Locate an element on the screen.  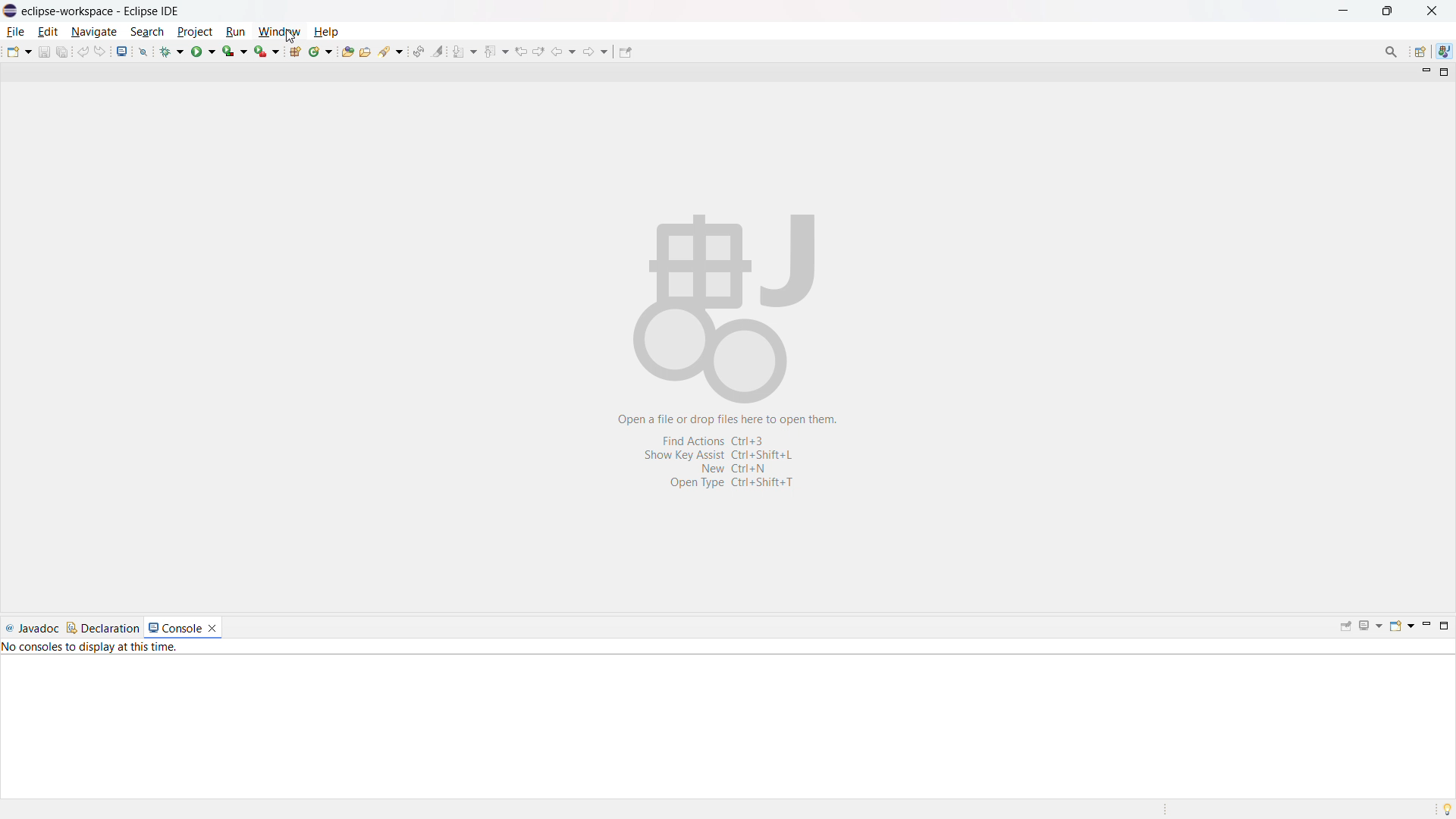
eclipse-workspace-Eclipse IDE is located at coordinates (100, 11).